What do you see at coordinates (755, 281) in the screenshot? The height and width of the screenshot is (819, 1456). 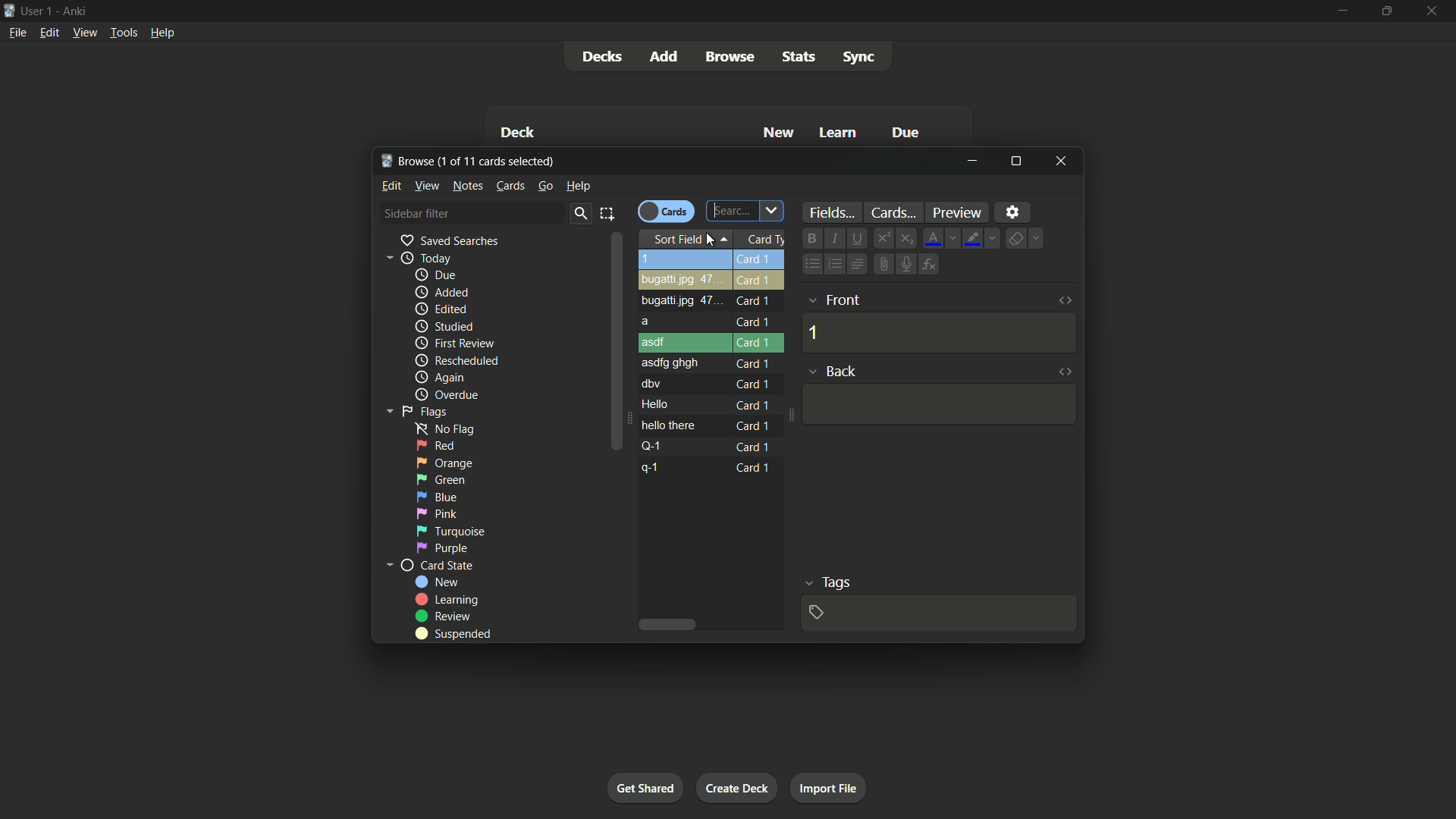 I see `card 1` at bounding box center [755, 281].